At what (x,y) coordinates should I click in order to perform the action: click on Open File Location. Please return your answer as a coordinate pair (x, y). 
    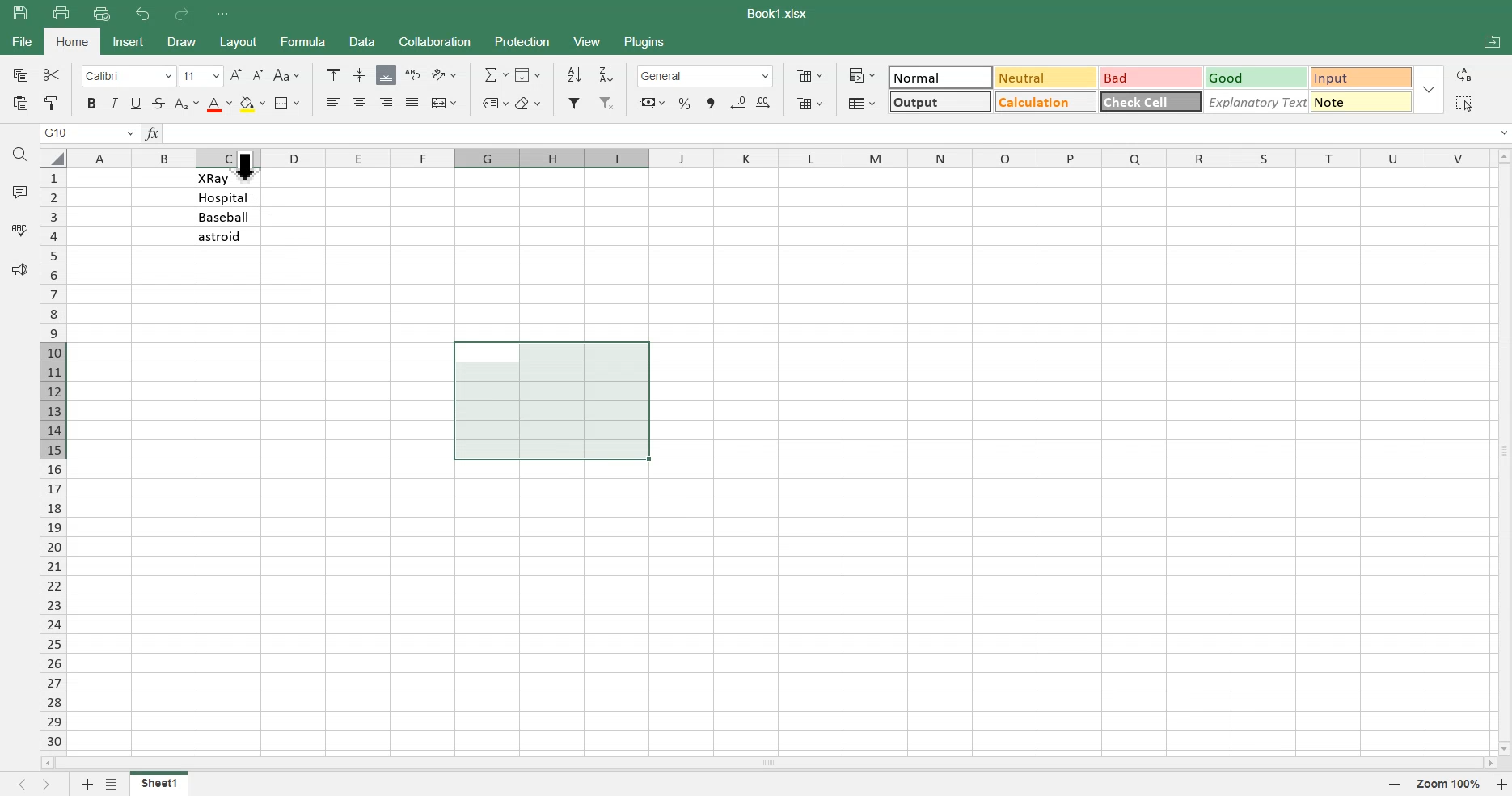
    Looking at the image, I should click on (1492, 44).